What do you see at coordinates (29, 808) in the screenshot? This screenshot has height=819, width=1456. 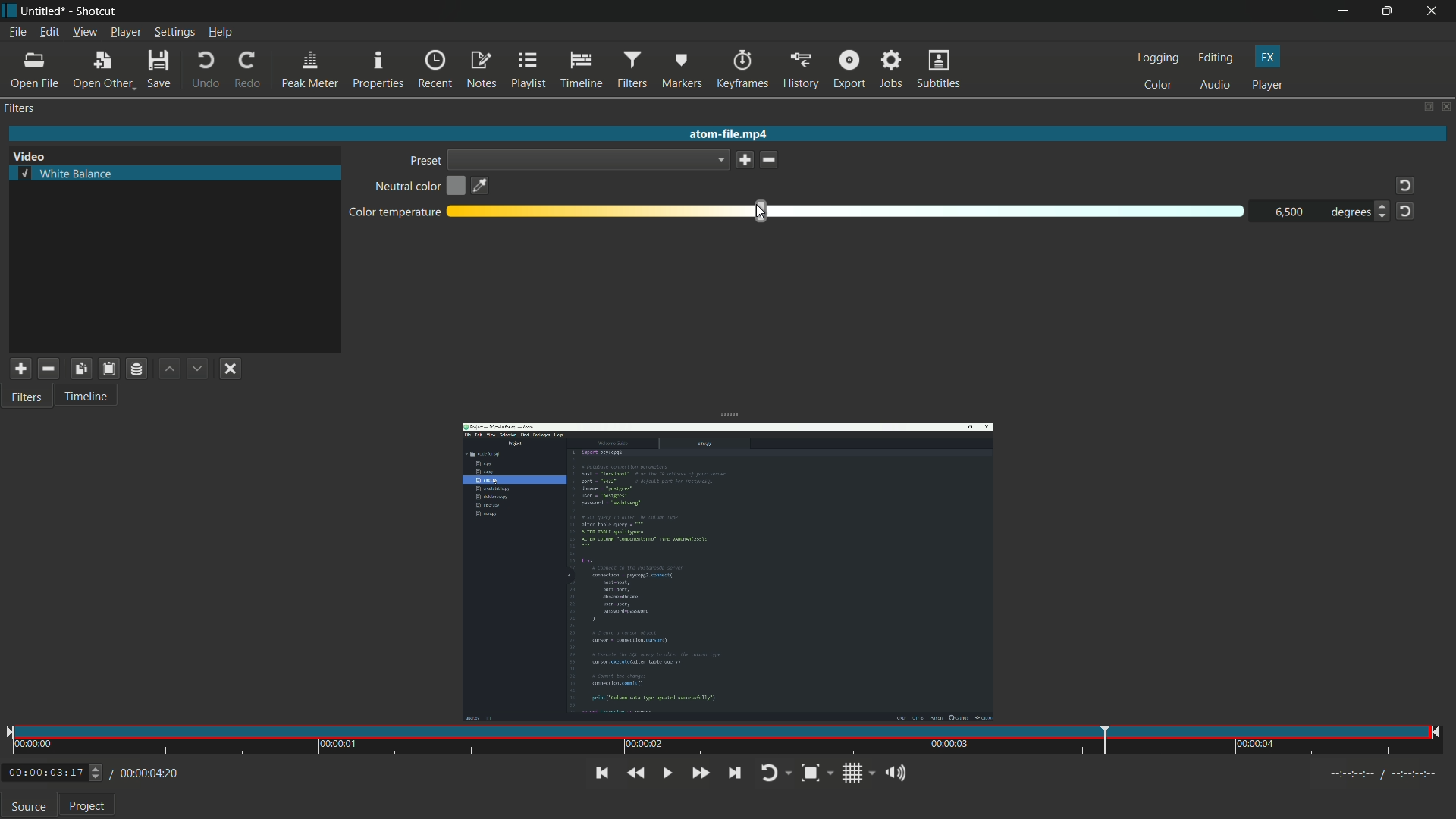 I see `source` at bounding box center [29, 808].